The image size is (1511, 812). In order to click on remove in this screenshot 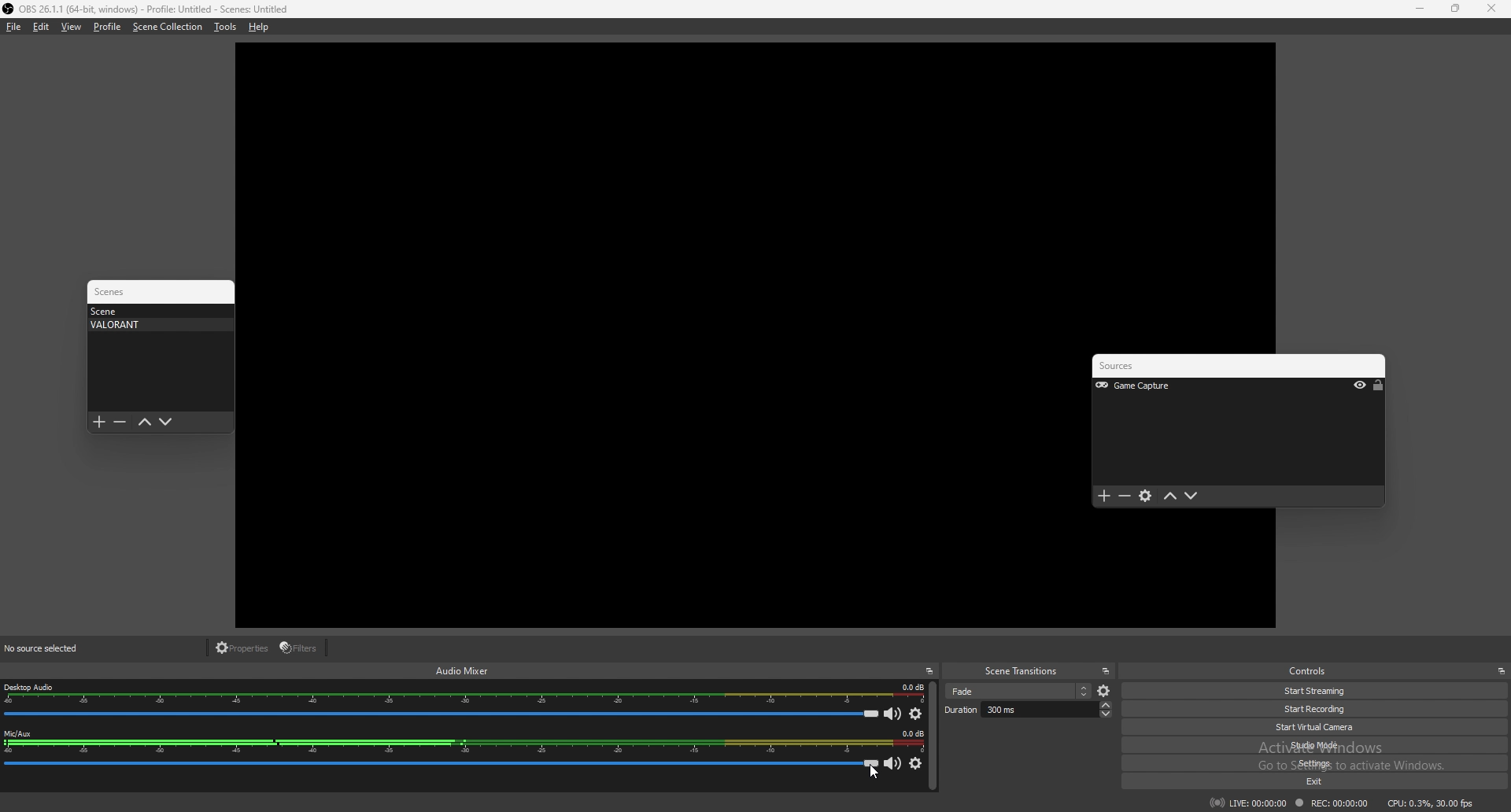, I will do `click(1125, 497)`.